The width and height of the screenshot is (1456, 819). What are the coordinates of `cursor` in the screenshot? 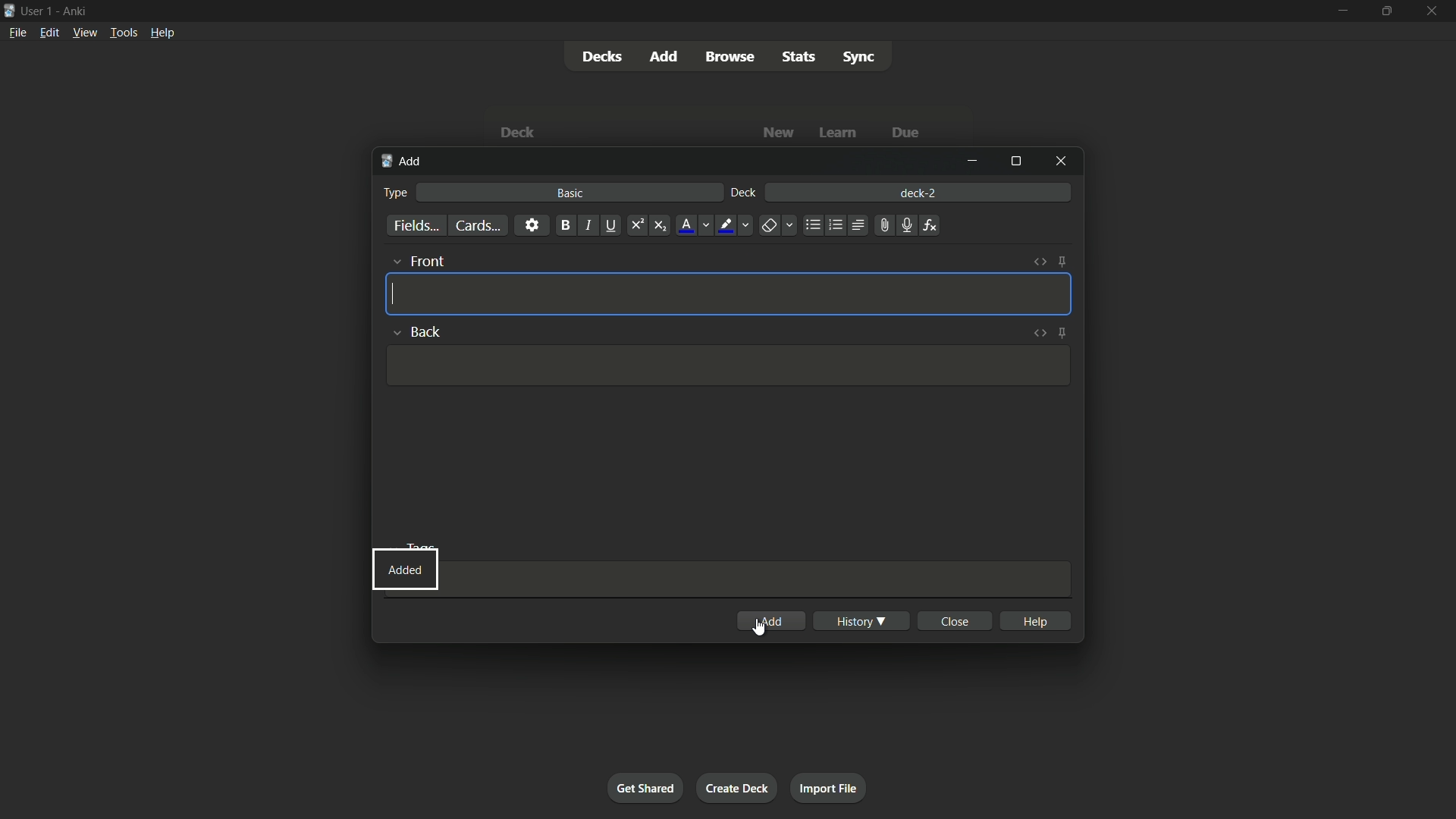 It's located at (395, 295).